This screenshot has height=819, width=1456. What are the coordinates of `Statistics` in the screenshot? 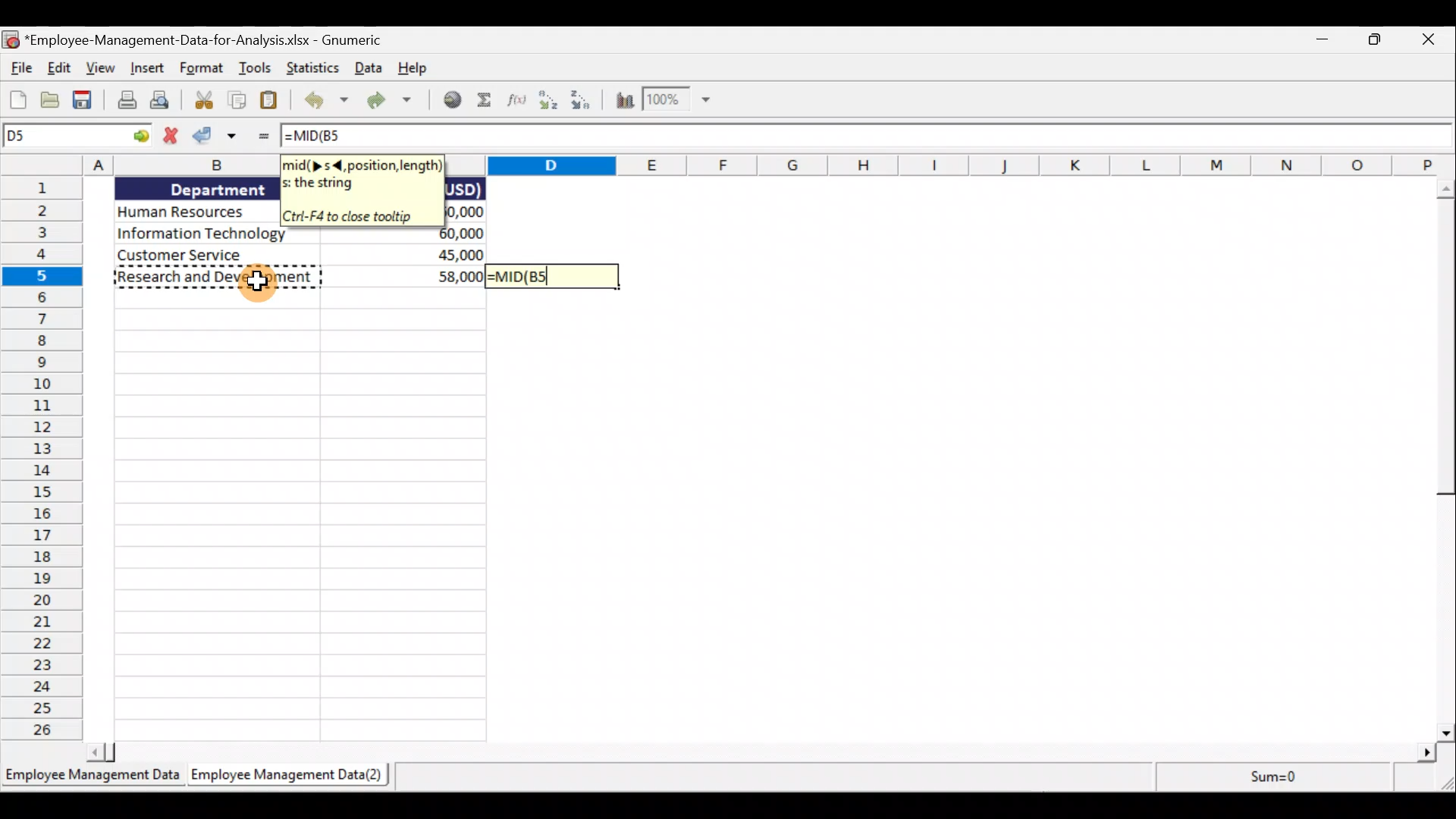 It's located at (315, 68).